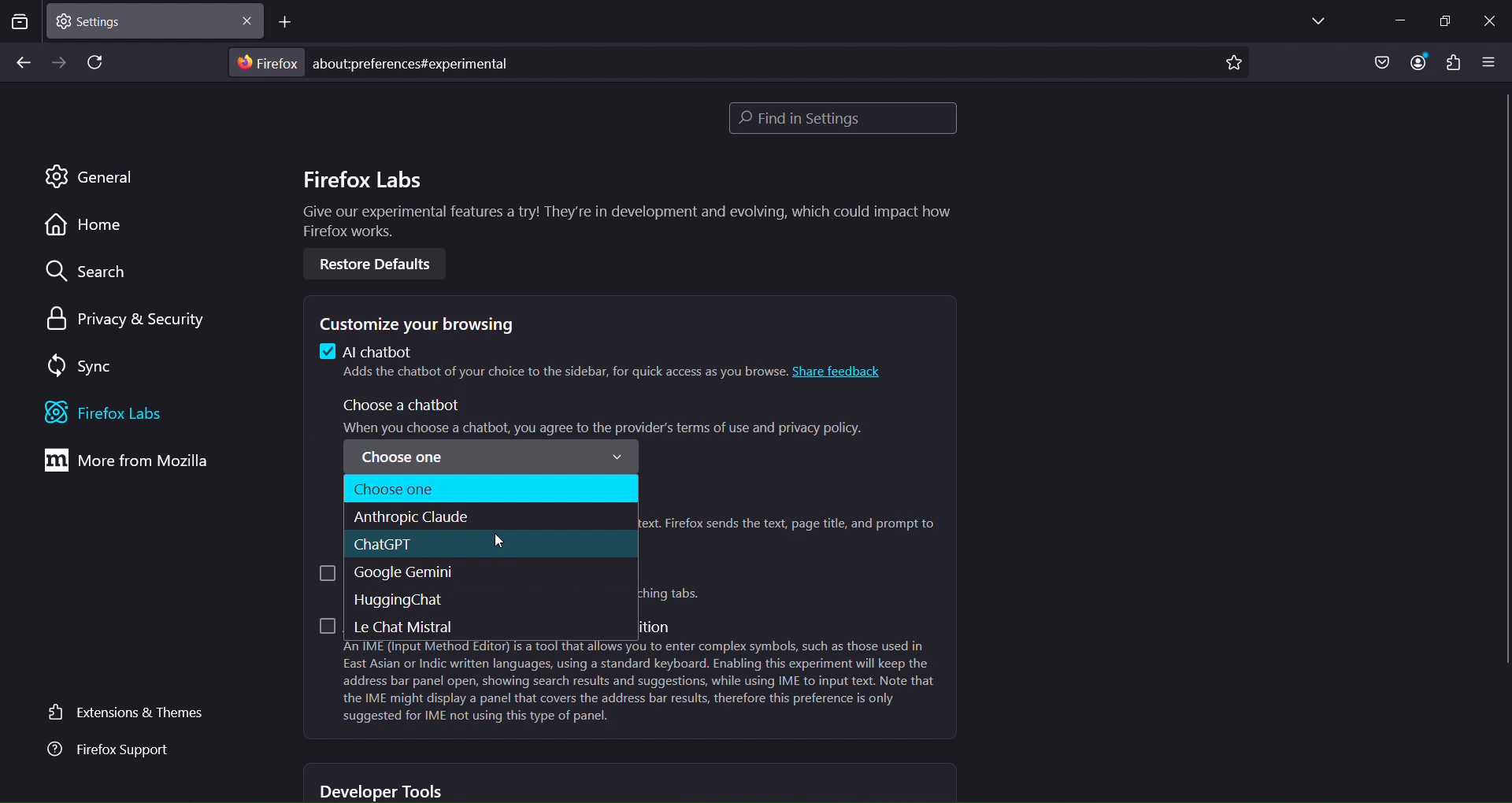  What do you see at coordinates (22, 62) in the screenshot?
I see `go back one page` at bounding box center [22, 62].